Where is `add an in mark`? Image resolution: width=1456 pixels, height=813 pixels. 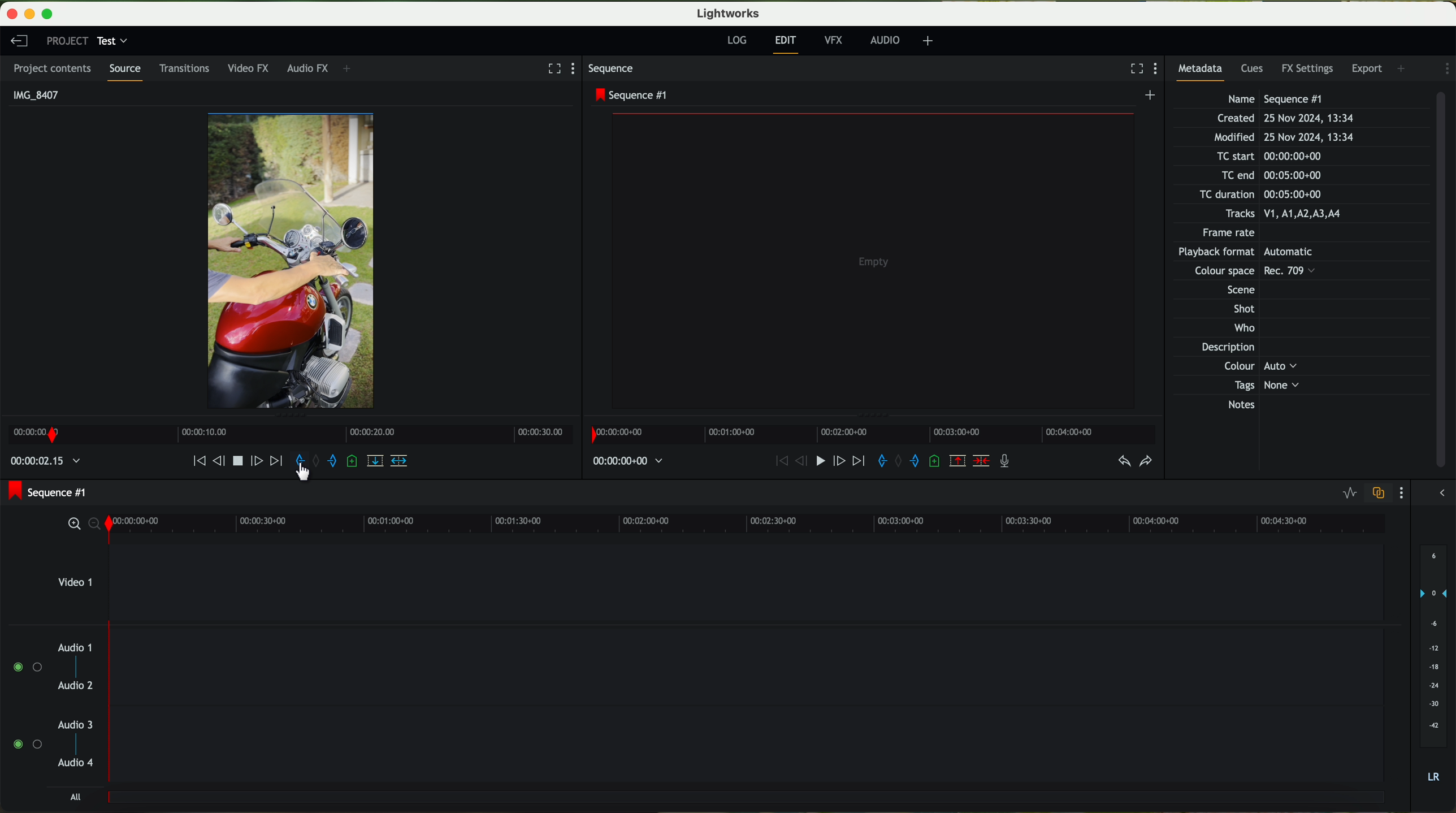 add an in mark is located at coordinates (301, 462).